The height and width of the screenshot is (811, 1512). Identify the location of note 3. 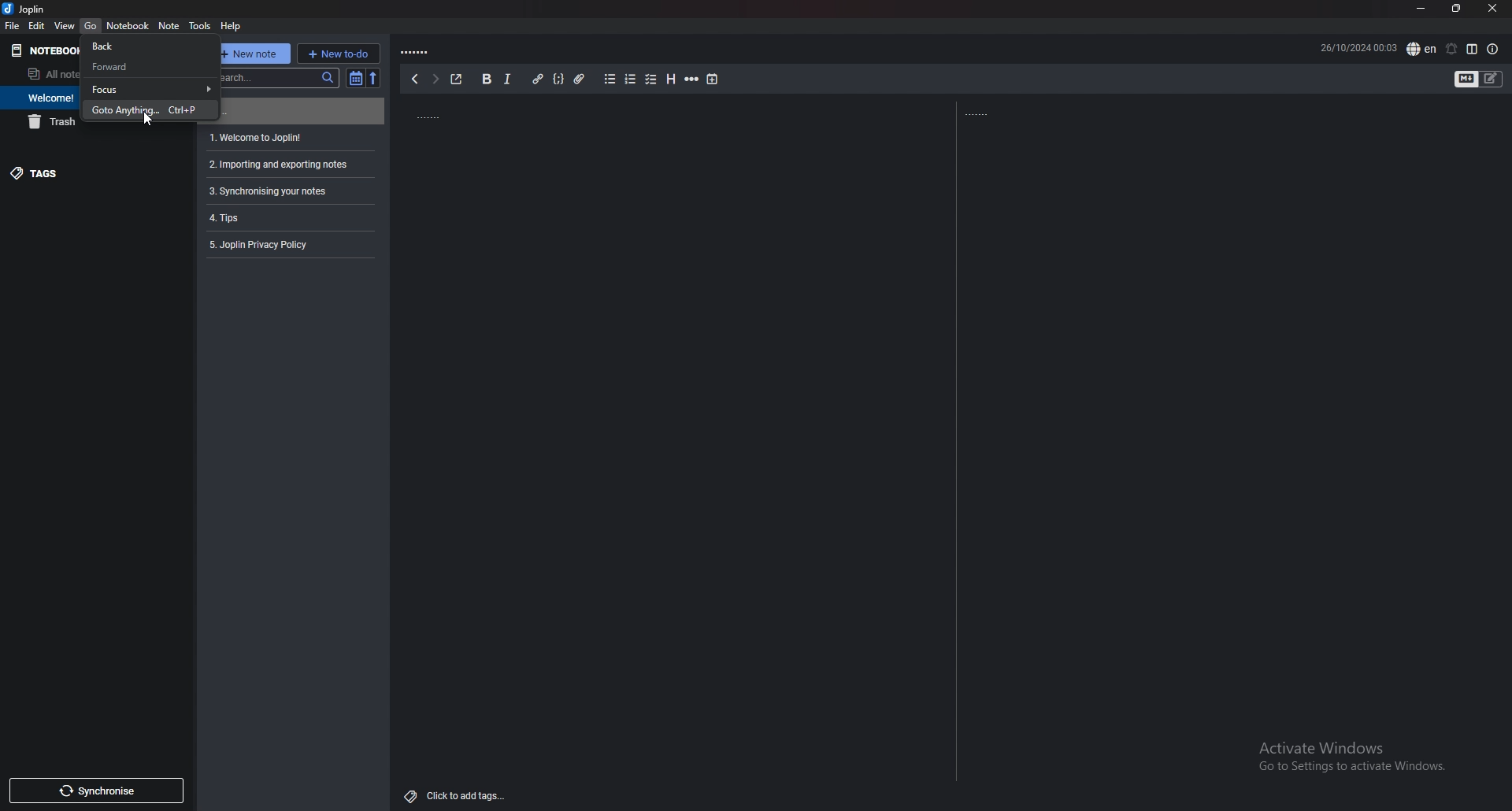
(288, 165).